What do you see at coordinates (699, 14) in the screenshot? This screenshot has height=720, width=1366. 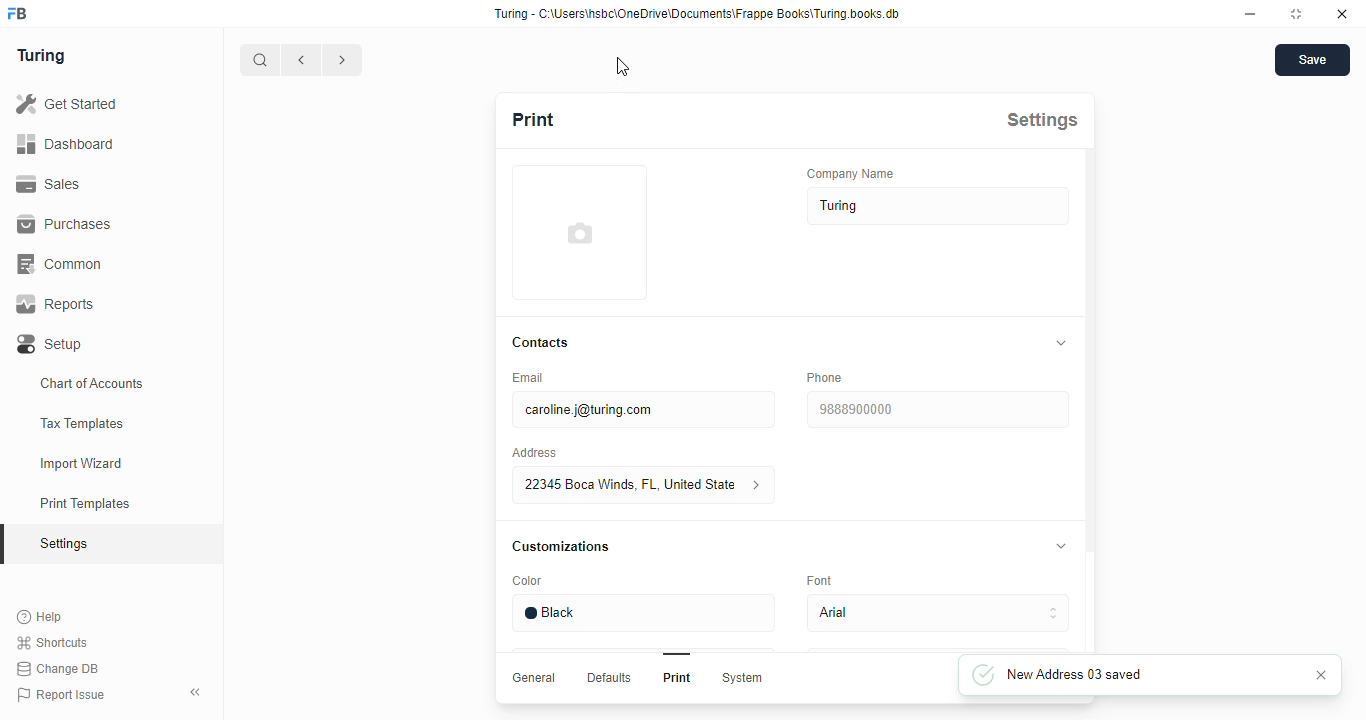 I see `Turing - C:\Users\hshc\OneDrive\Documents\Frappe Books\Turing.books.db` at bounding box center [699, 14].